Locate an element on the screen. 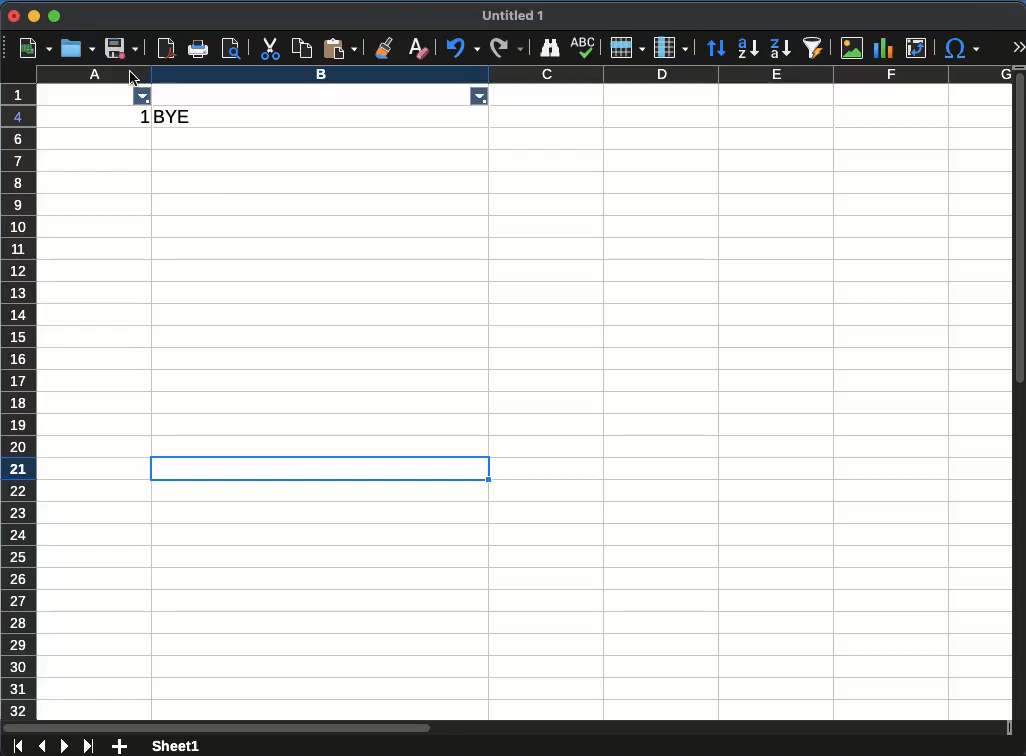 The height and width of the screenshot is (756, 1026). expand is located at coordinates (1020, 47).